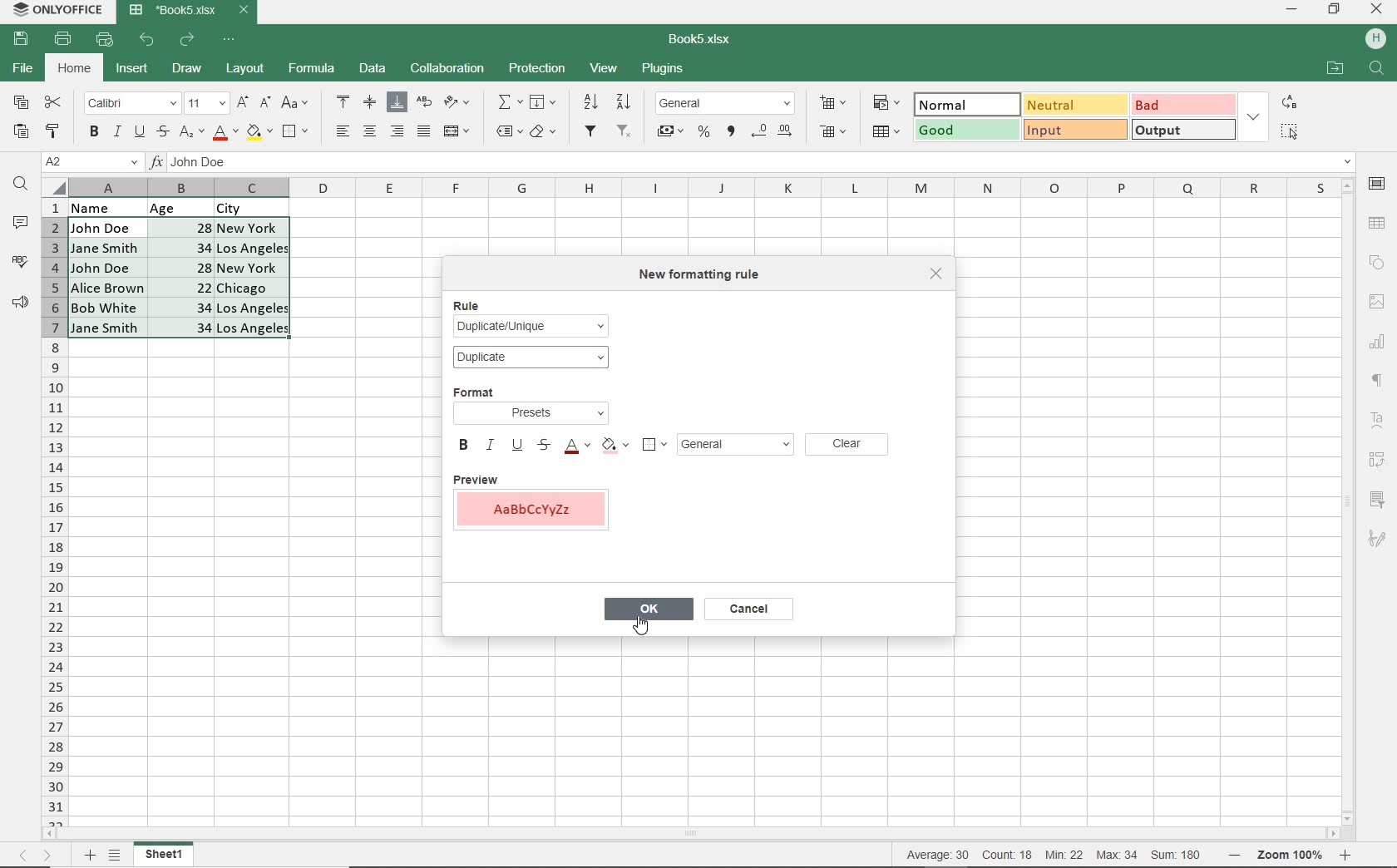  Describe the element at coordinates (91, 162) in the screenshot. I see `NAME MANAGER` at that location.